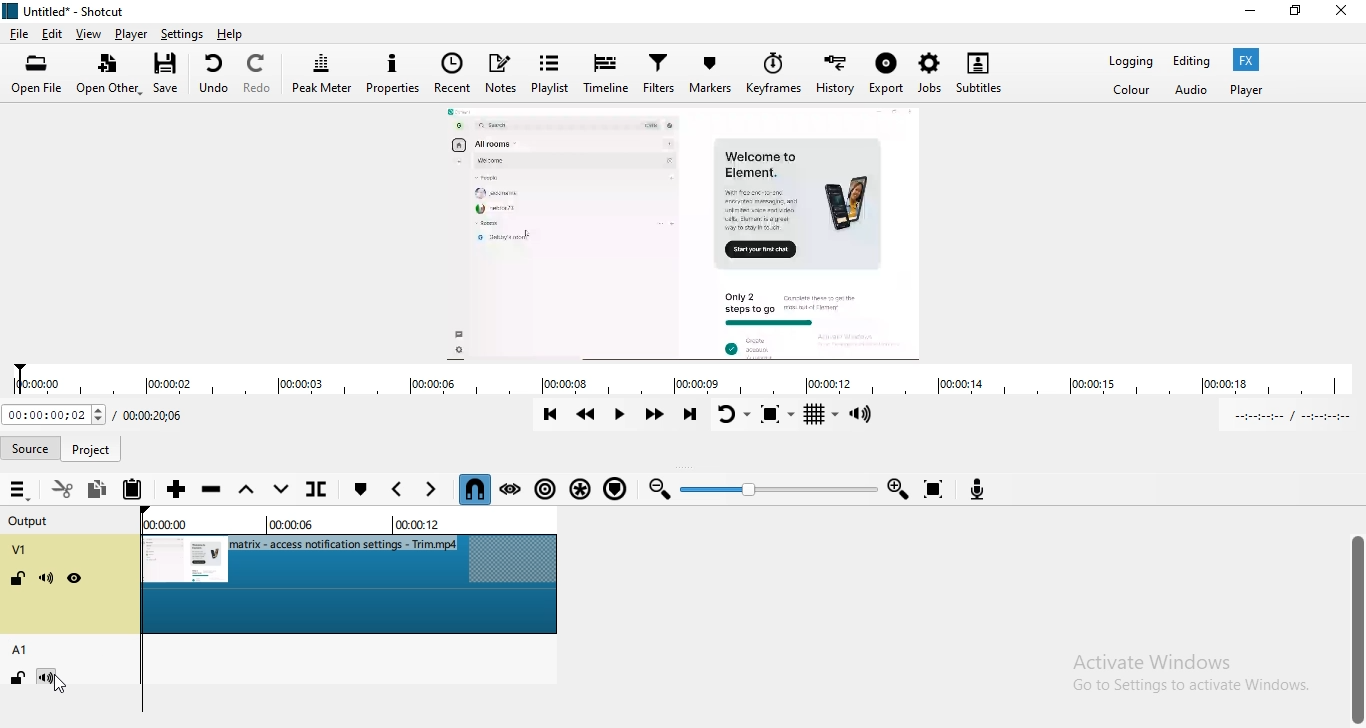 The image size is (1366, 728). I want to click on help, so click(235, 35).